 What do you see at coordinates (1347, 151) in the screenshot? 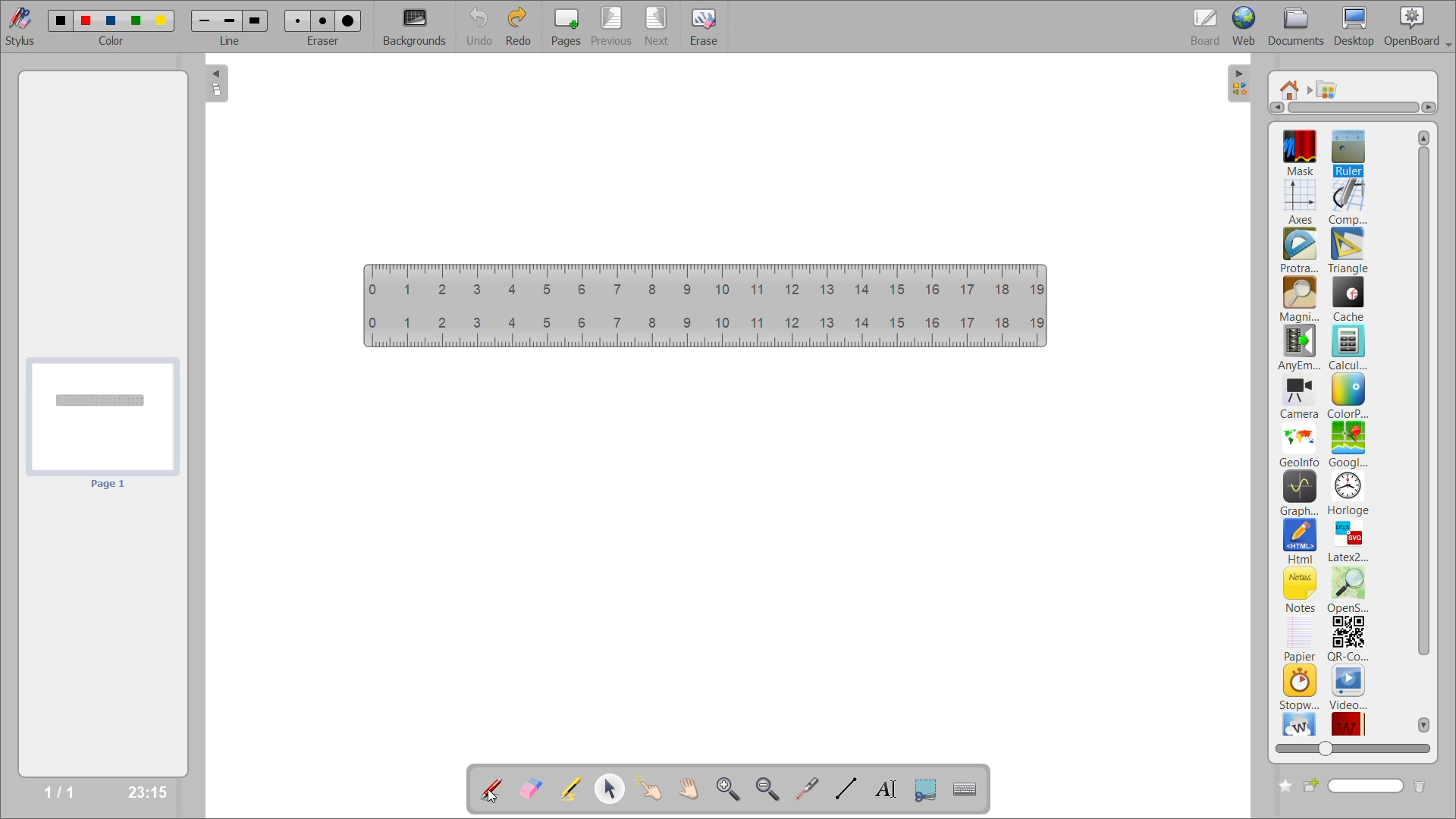
I see `ruler` at bounding box center [1347, 151].